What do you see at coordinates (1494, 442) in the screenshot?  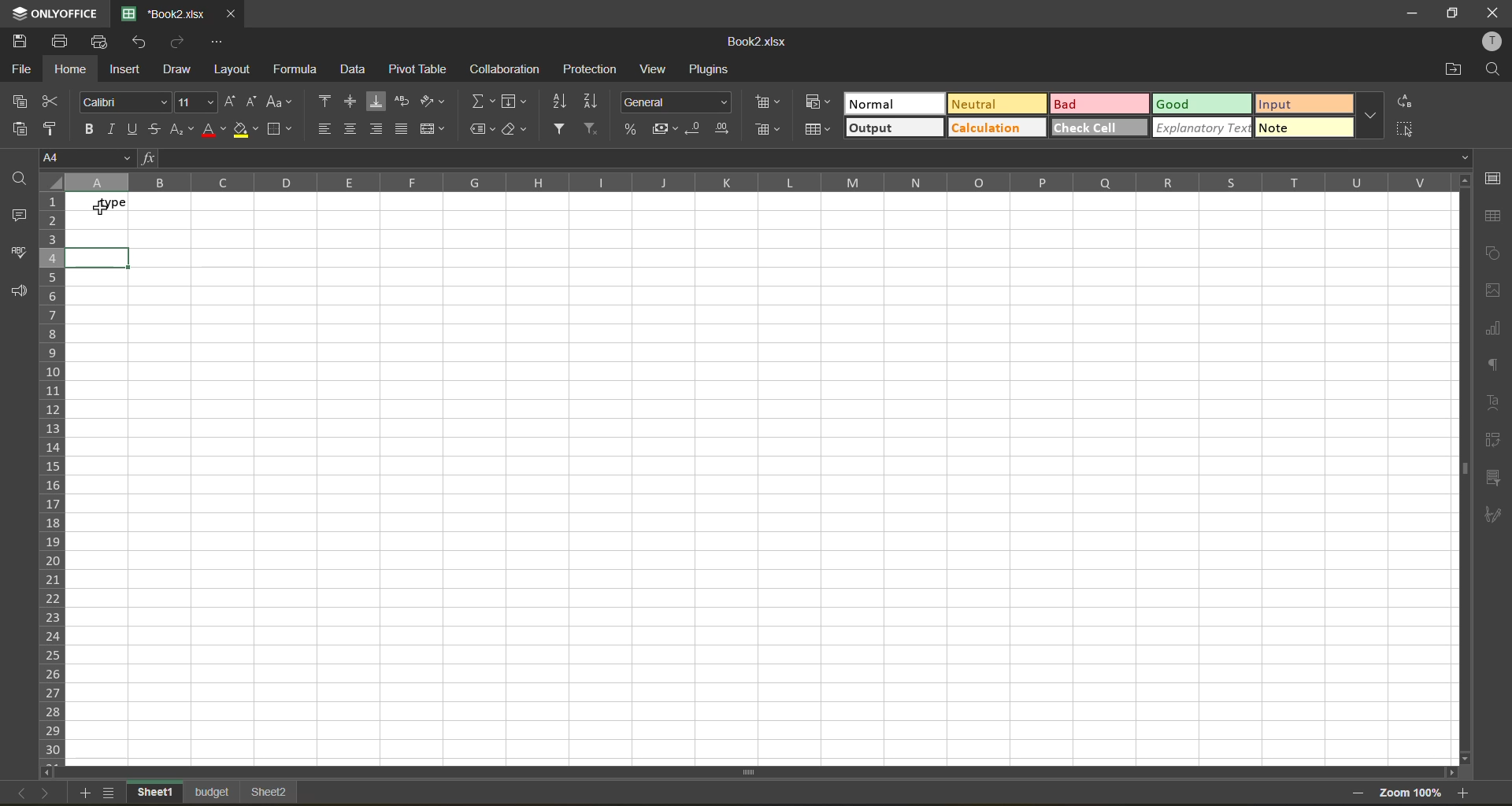 I see `pivot table` at bounding box center [1494, 442].